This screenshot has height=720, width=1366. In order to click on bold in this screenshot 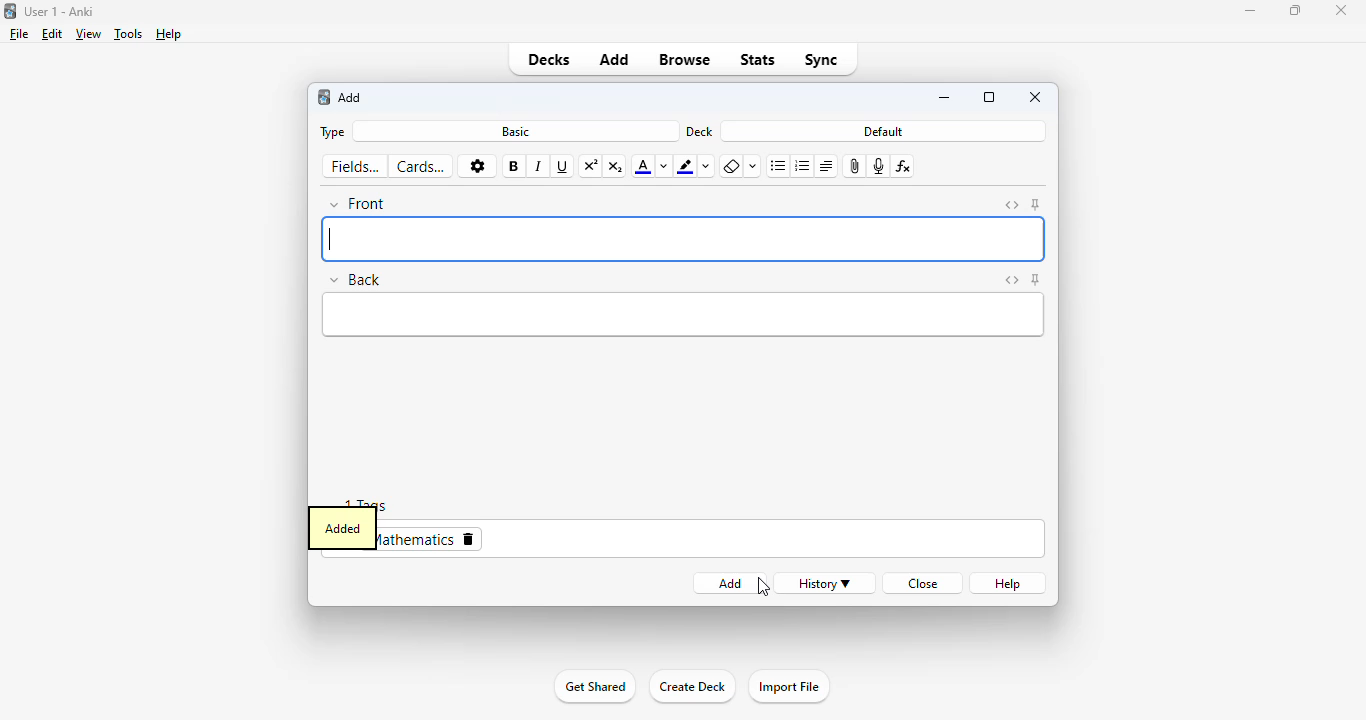, I will do `click(514, 166)`.